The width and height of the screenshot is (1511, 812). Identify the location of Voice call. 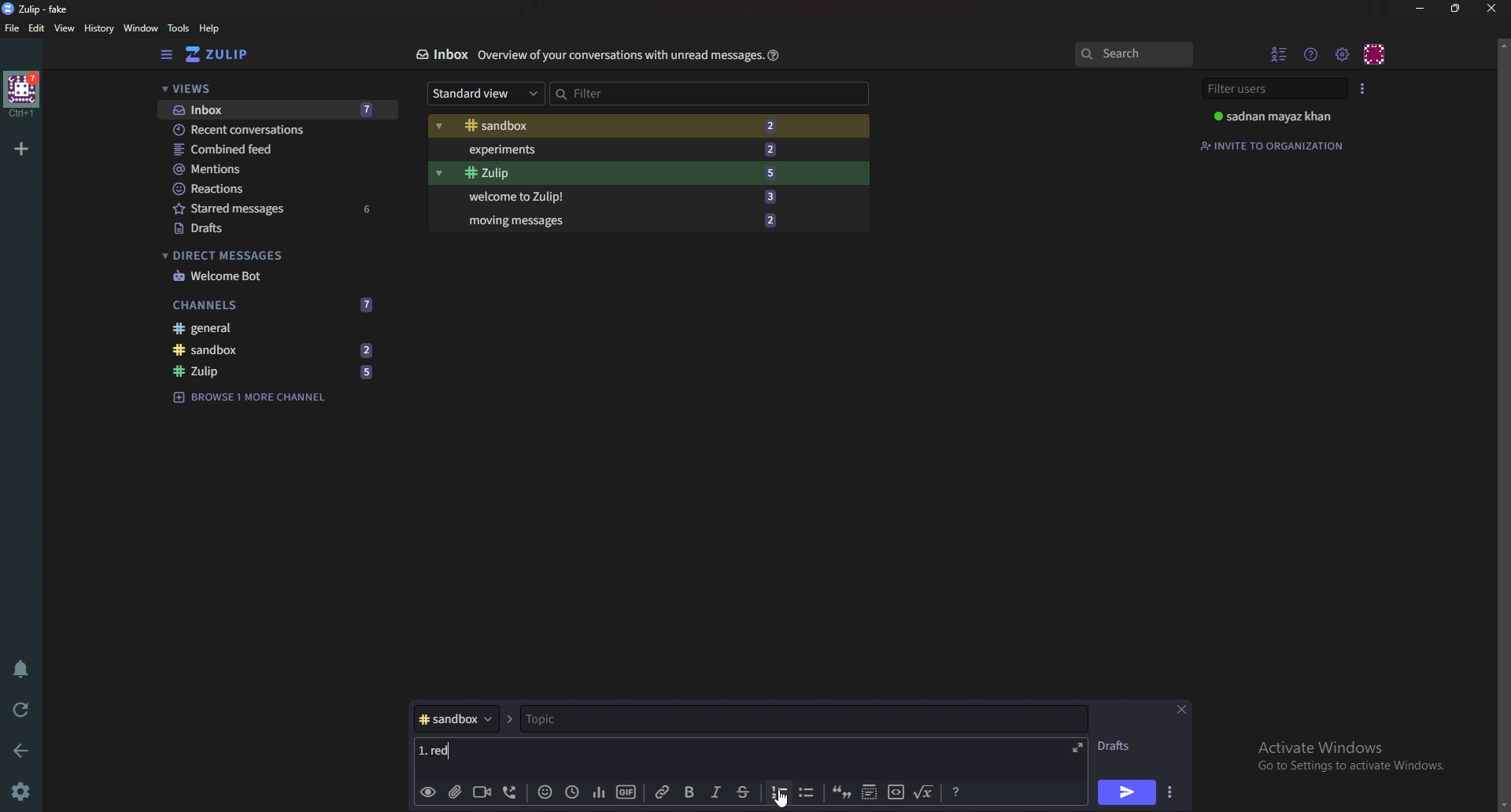
(508, 794).